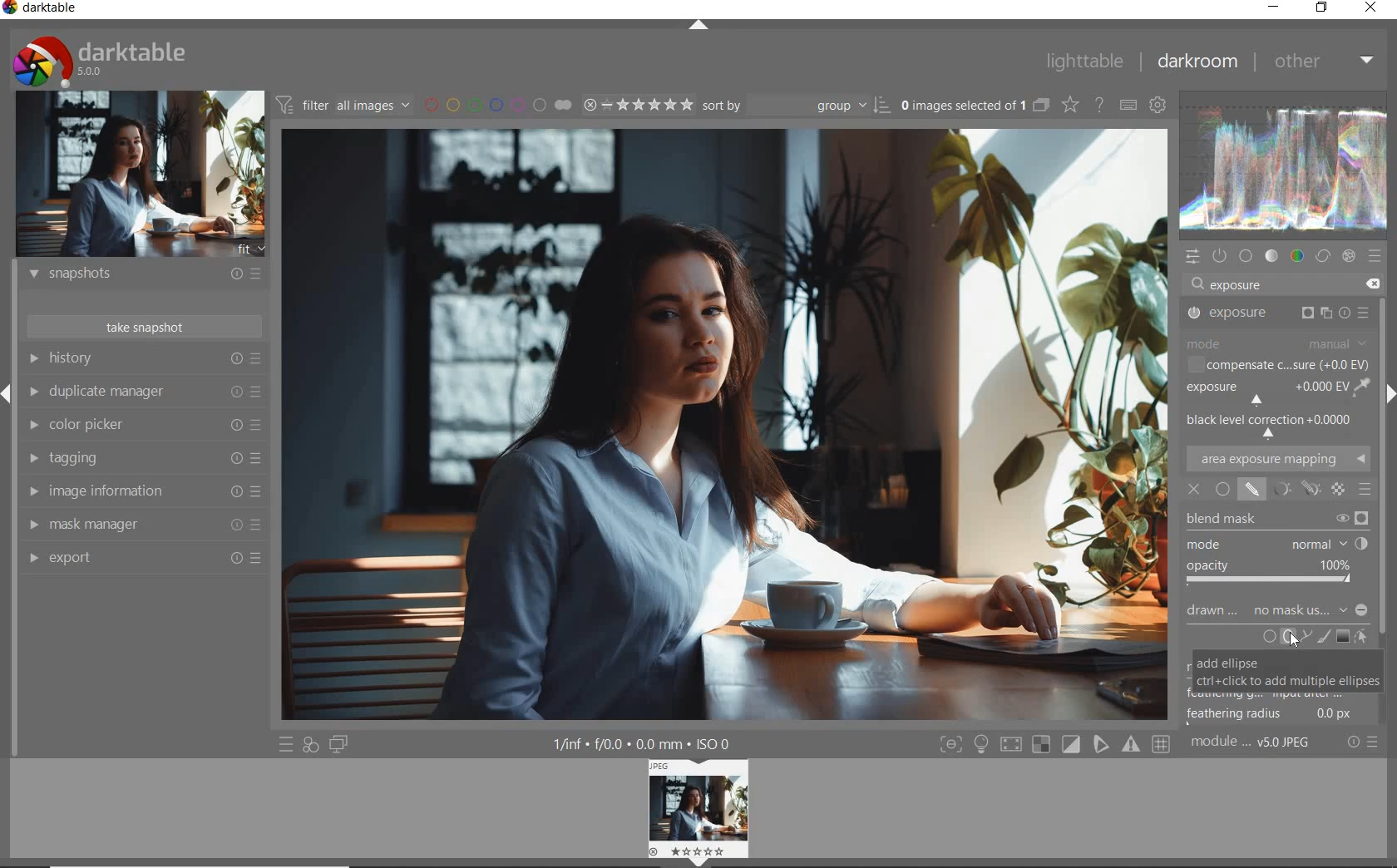 The width and height of the screenshot is (1397, 868). Describe the element at coordinates (1298, 256) in the screenshot. I see `color` at that location.